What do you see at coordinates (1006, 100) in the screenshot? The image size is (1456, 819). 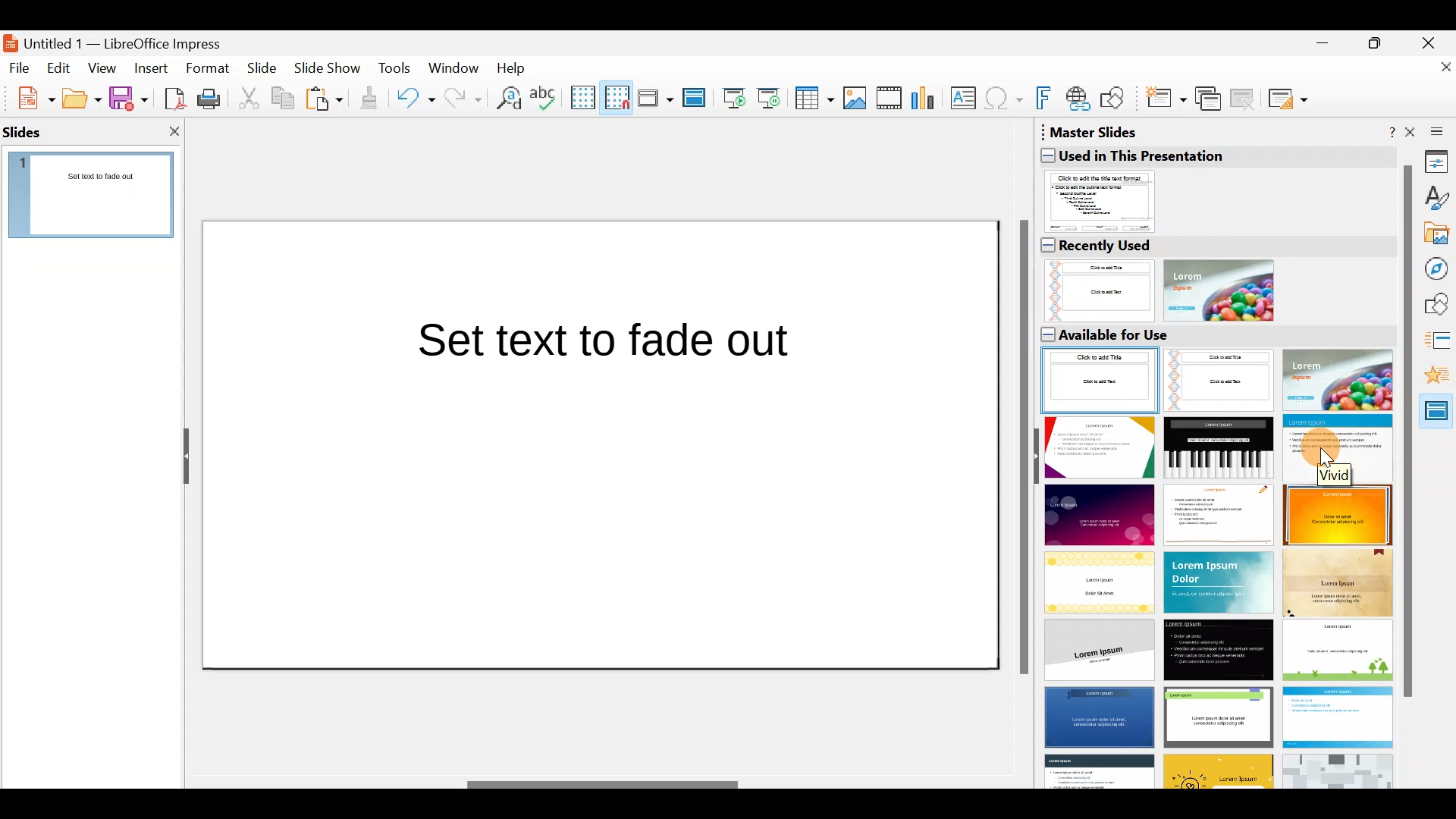 I see `Insert special characters` at bounding box center [1006, 100].